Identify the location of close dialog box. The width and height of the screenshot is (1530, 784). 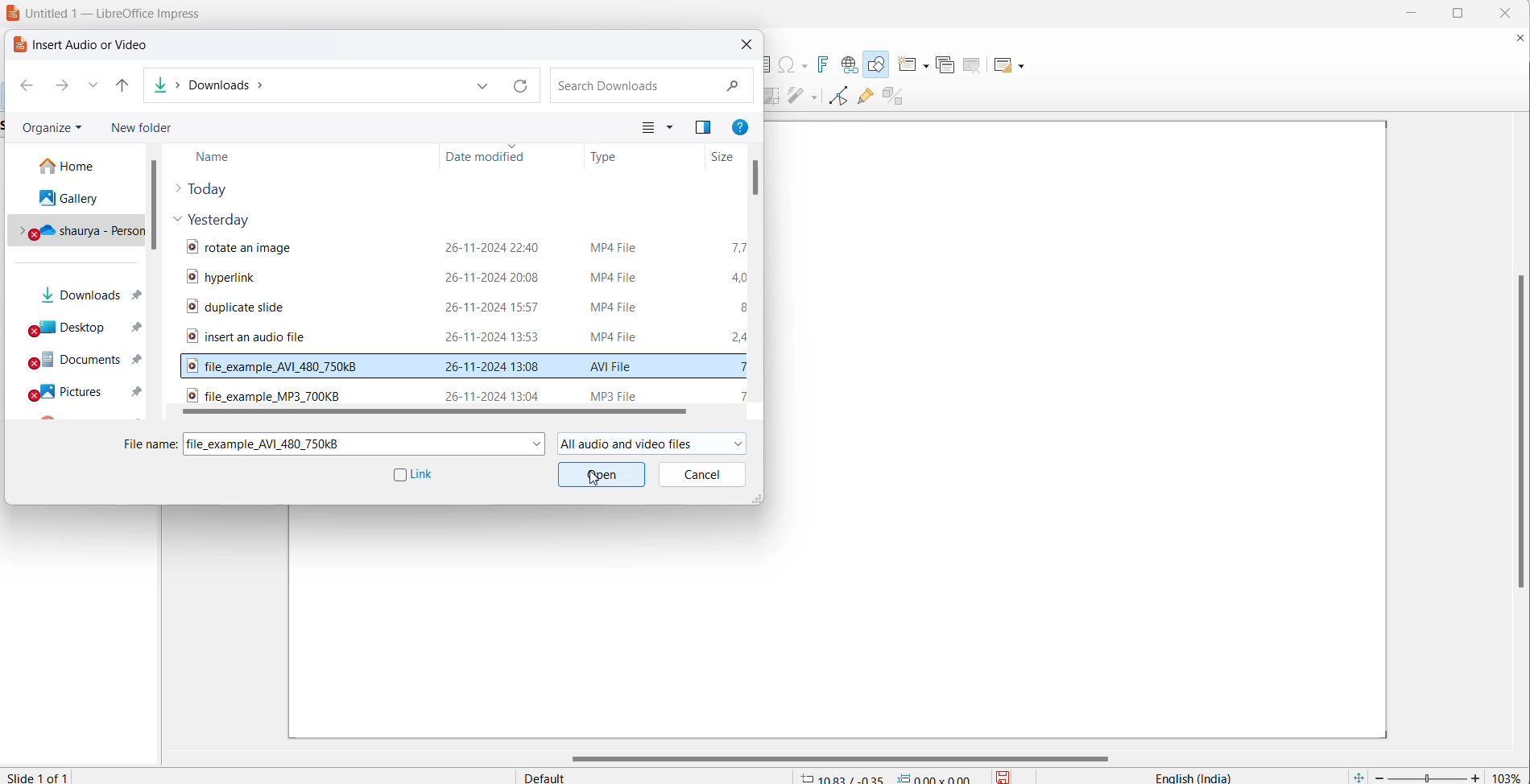
(746, 45).